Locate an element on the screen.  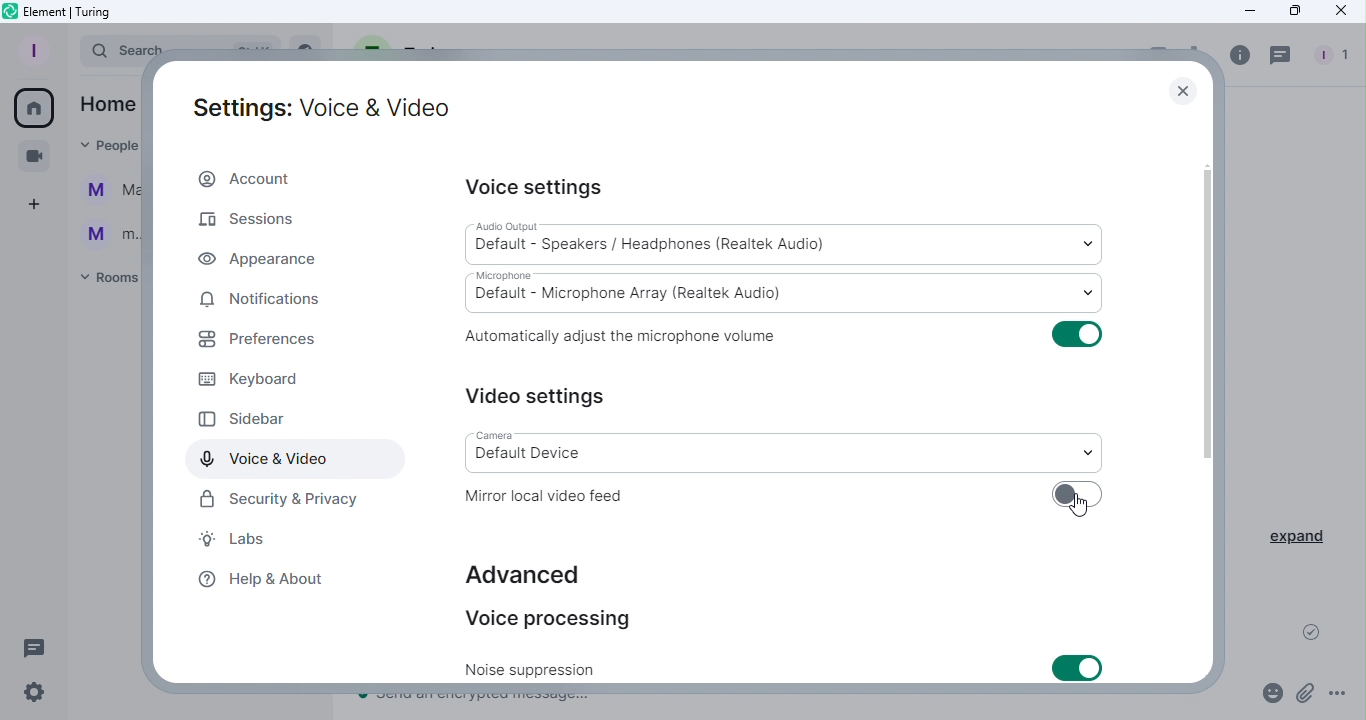
Voice settings is located at coordinates (532, 188).